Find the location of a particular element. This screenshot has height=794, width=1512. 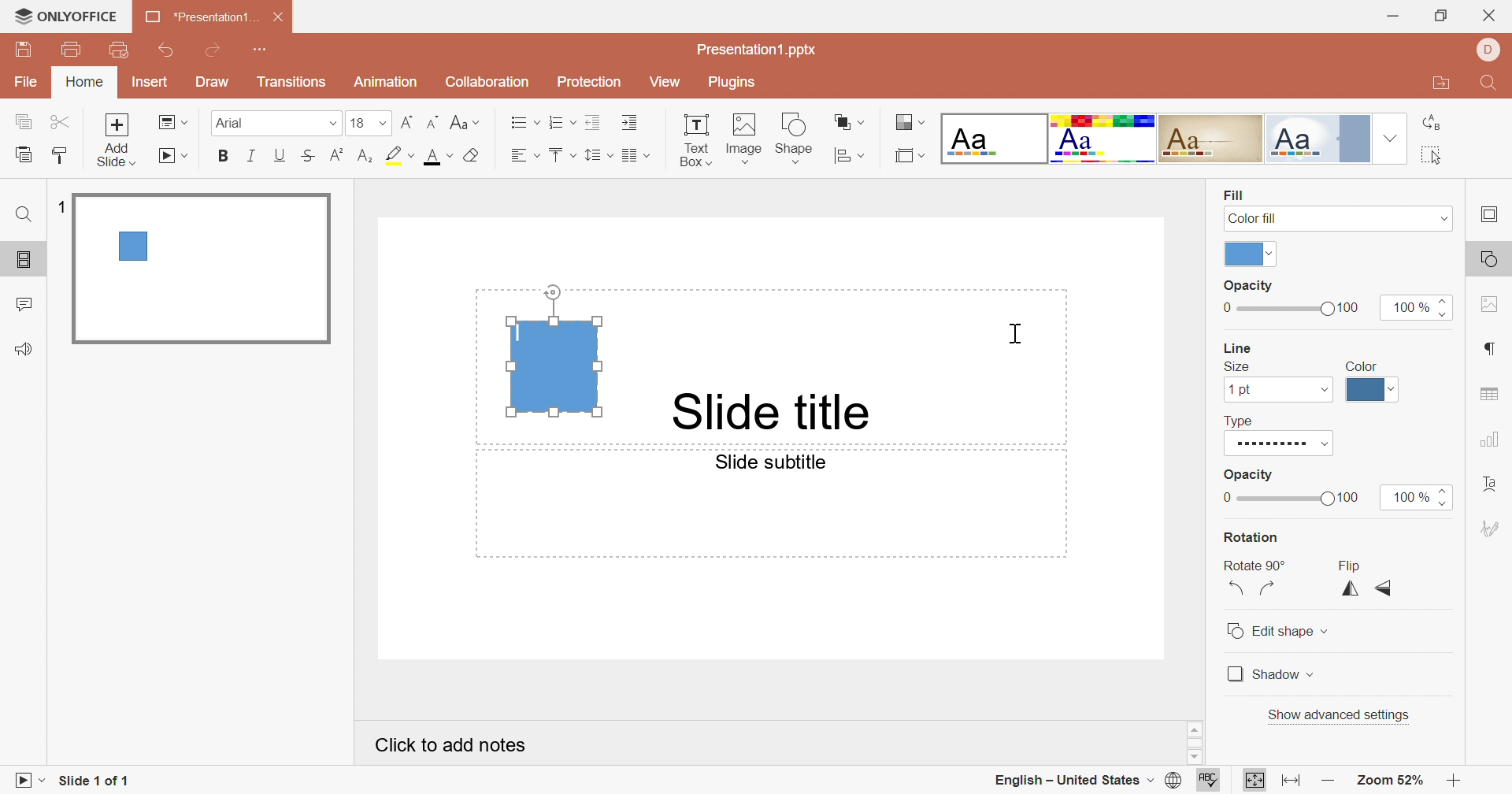

Select All is located at coordinates (1432, 155).